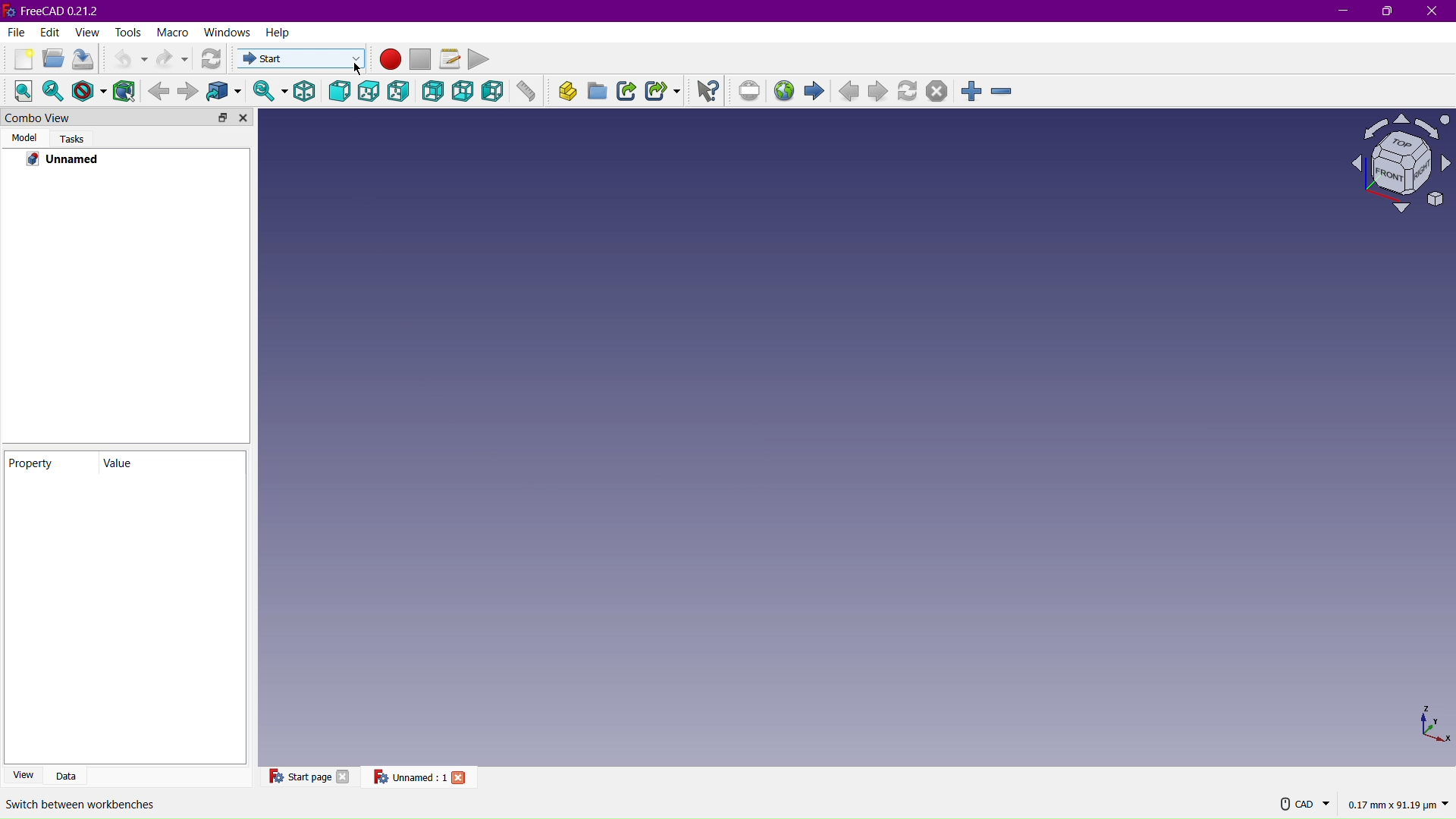 Image resolution: width=1456 pixels, height=819 pixels. Describe the element at coordinates (708, 90) in the screenshot. I see `What's This?` at that location.